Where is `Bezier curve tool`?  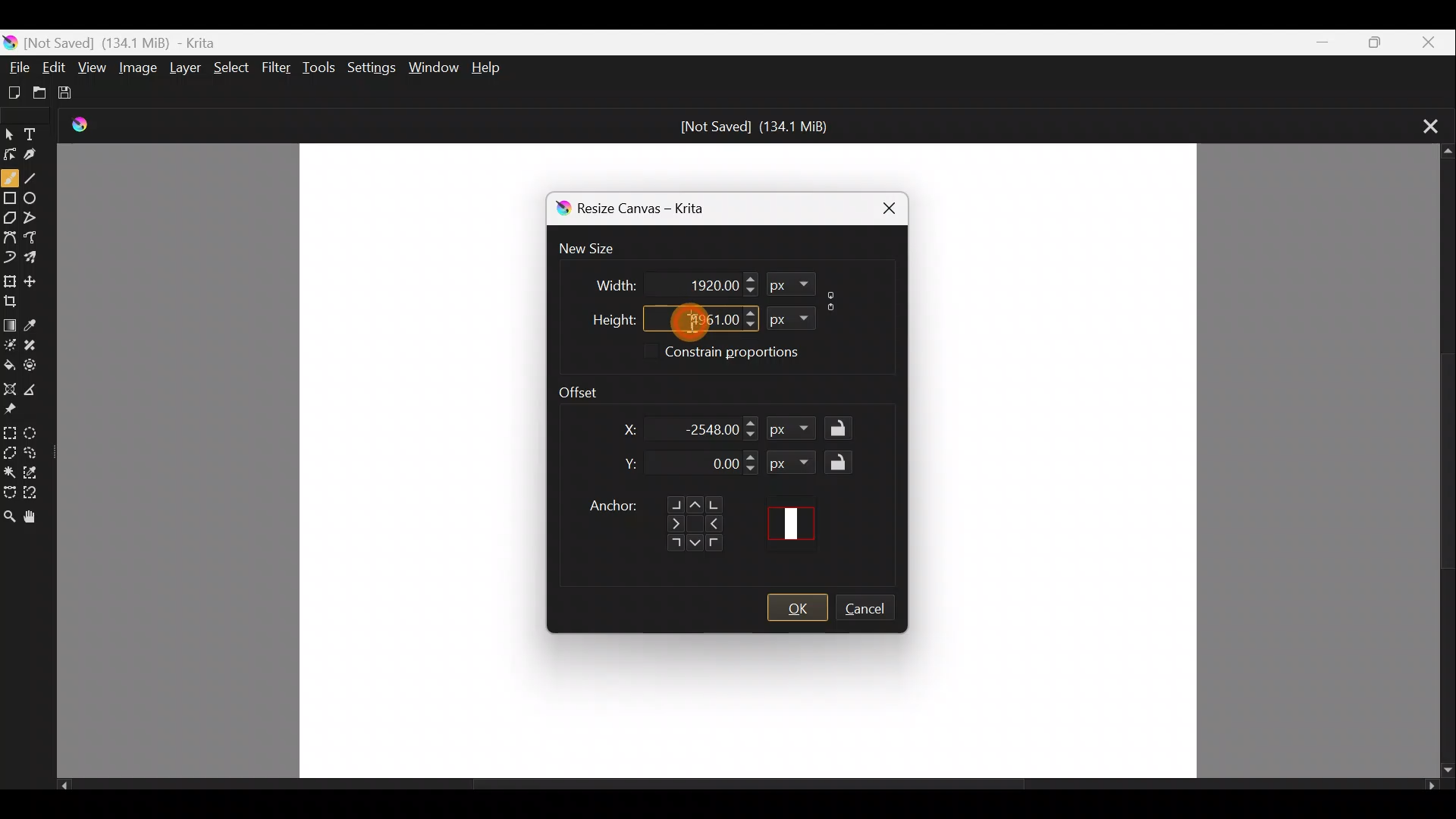
Bezier curve tool is located at coordinates (11, 235).